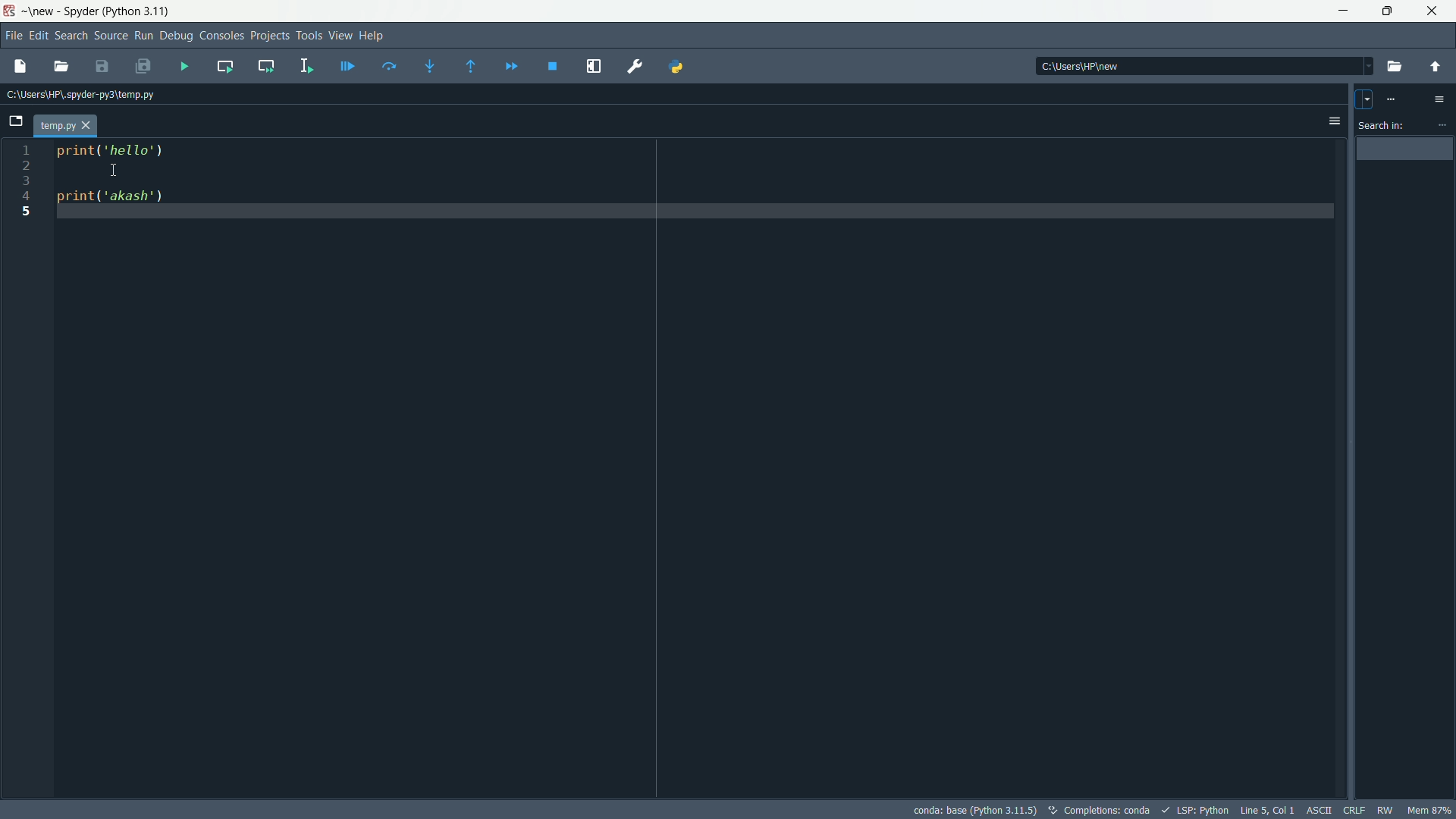 This screenshot has width=1456, height=819. What do you see at coordinates (1197, 810) in the screenshot?
I see `LSP:Python` at bounding box center [1197, 810].